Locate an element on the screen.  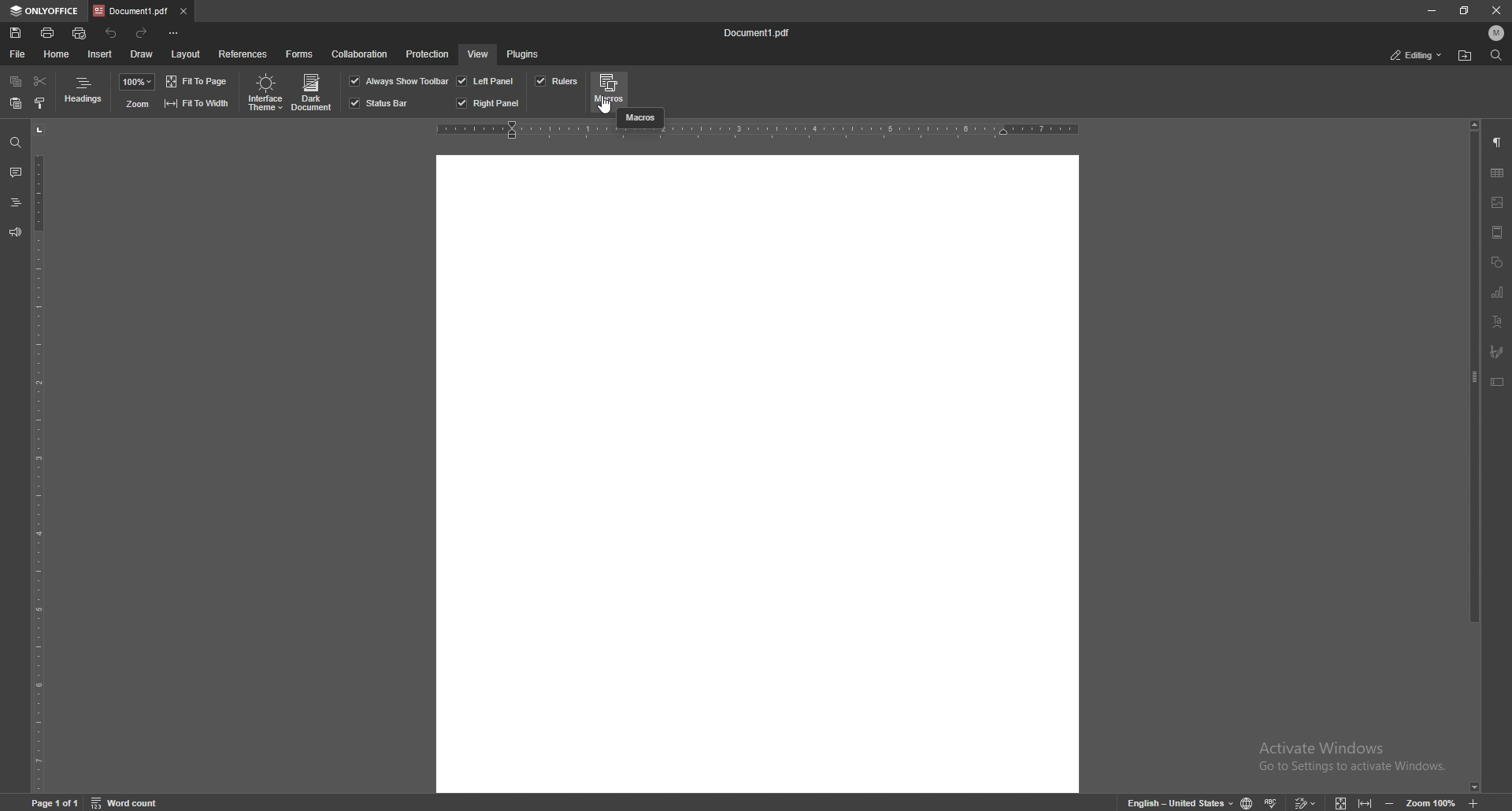
zoom is located at coordinates (136, 104).